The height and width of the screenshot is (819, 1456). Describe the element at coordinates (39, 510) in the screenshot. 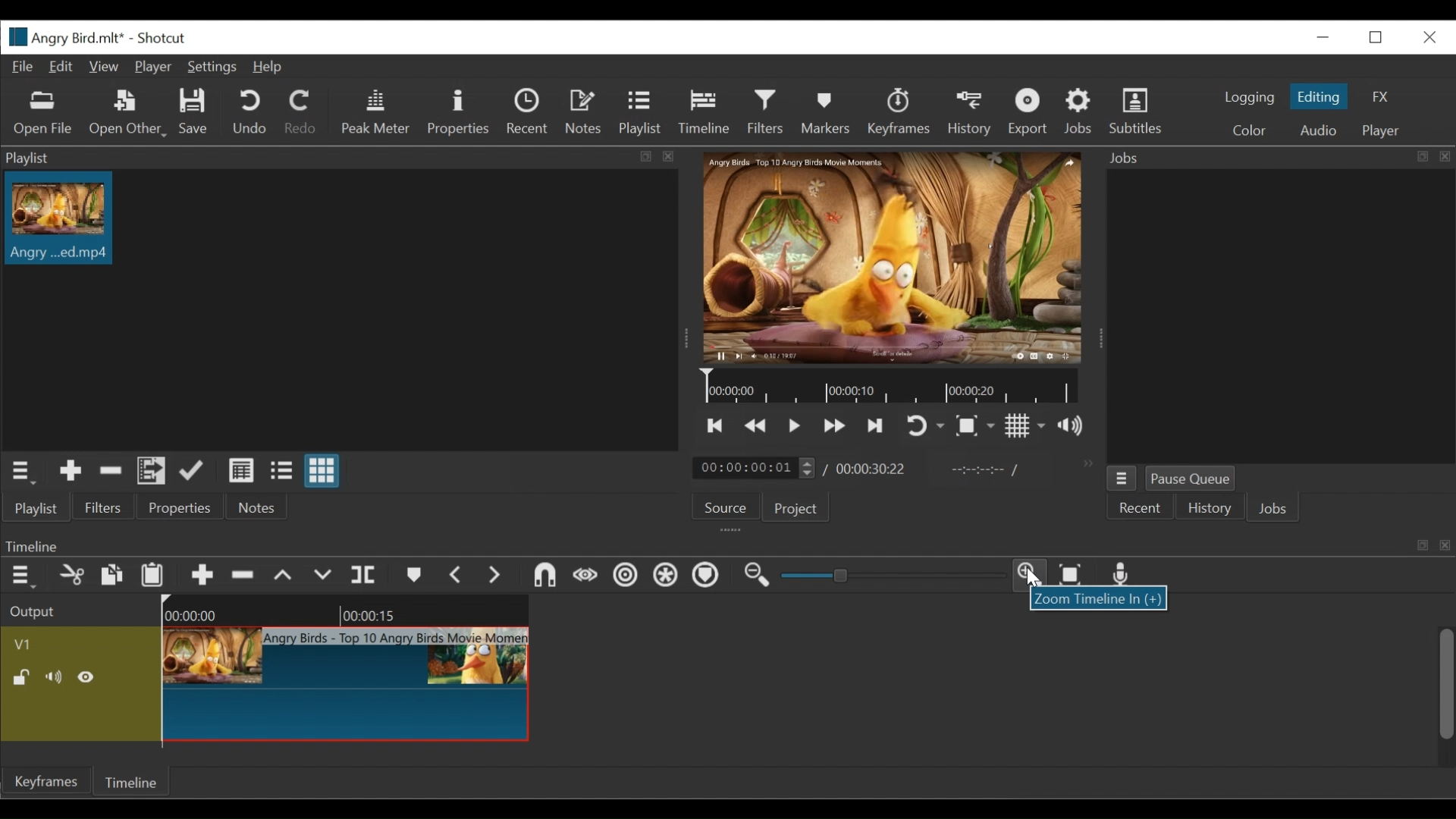

I see `Playlist` at that location.